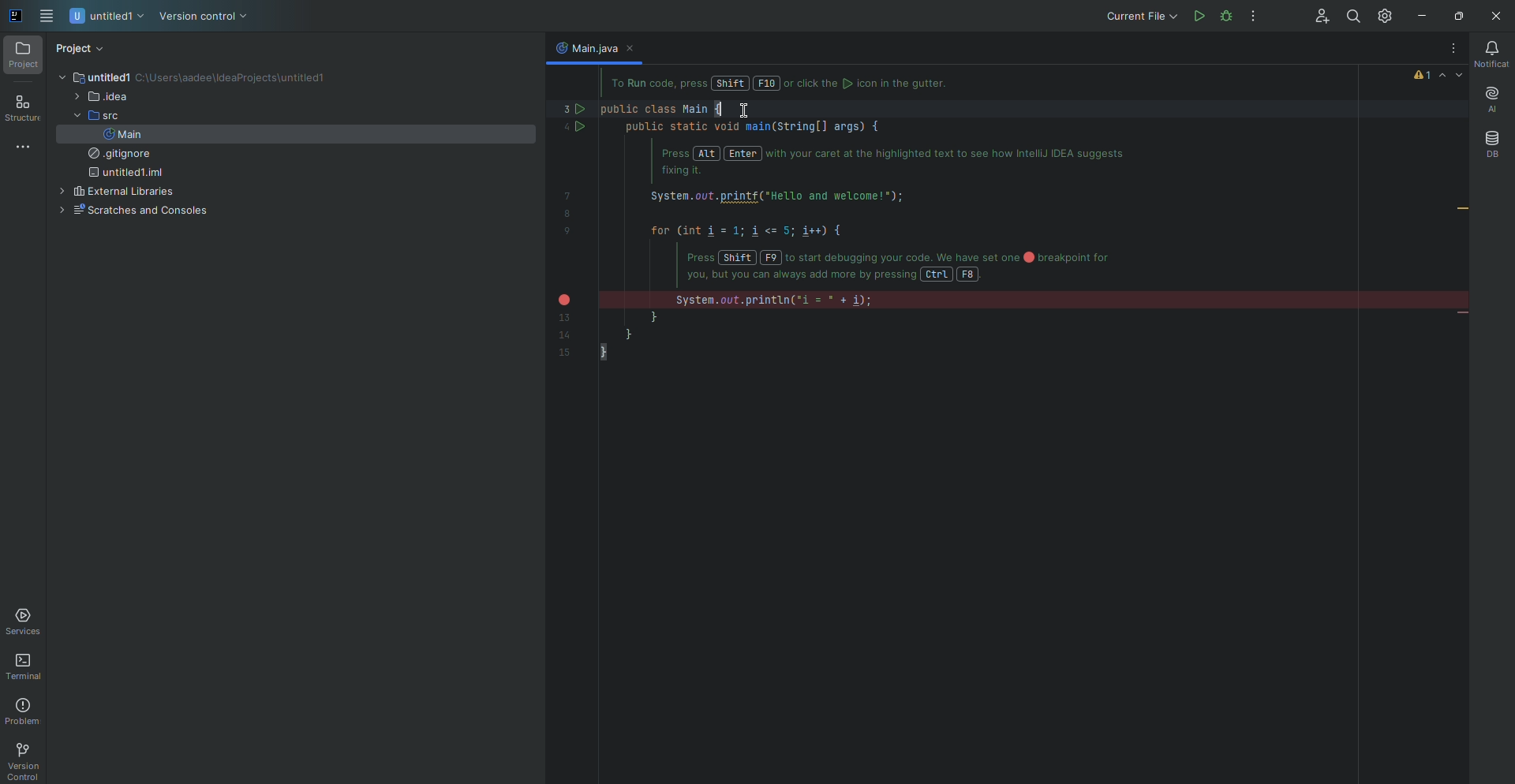 The width and height of the screenshot is (1515, 784). What do you see at coordinates (1439, 75) in the screenshot?
I see `Error` at bounding box center [1439, 75].